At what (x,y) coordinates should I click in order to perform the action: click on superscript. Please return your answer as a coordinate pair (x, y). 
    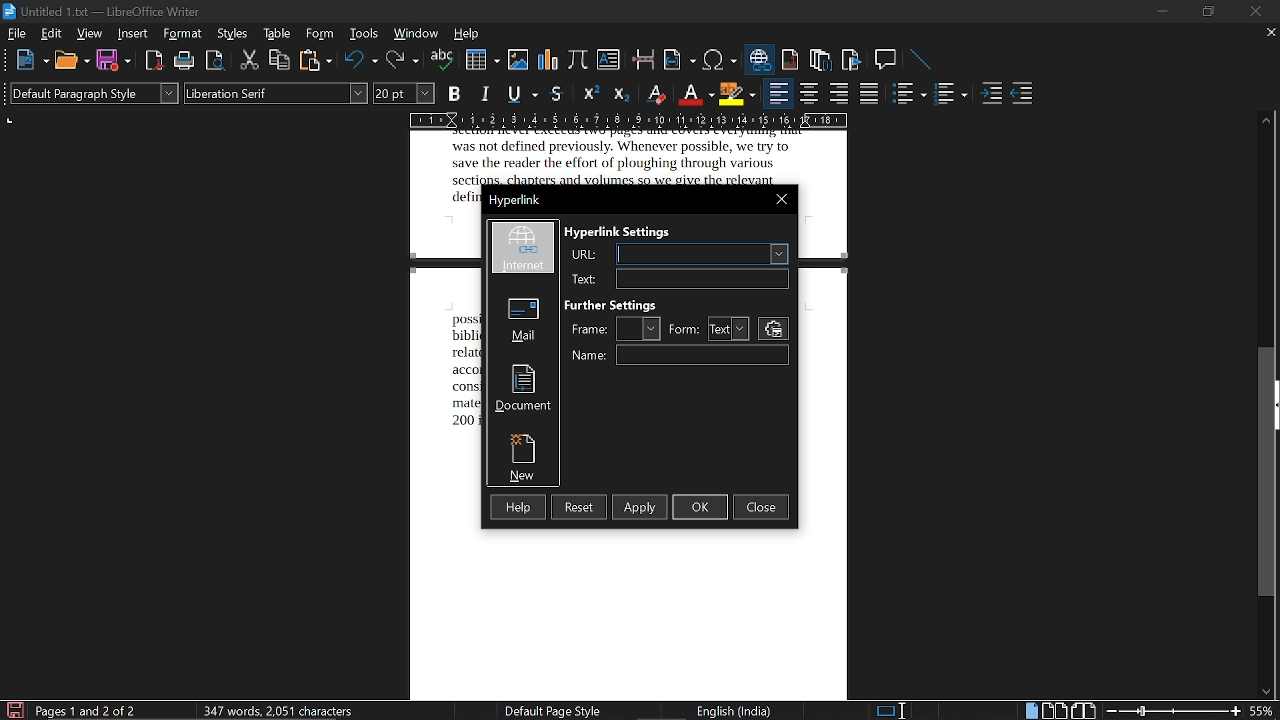
    Looking at the image, I should click on (590, 95).